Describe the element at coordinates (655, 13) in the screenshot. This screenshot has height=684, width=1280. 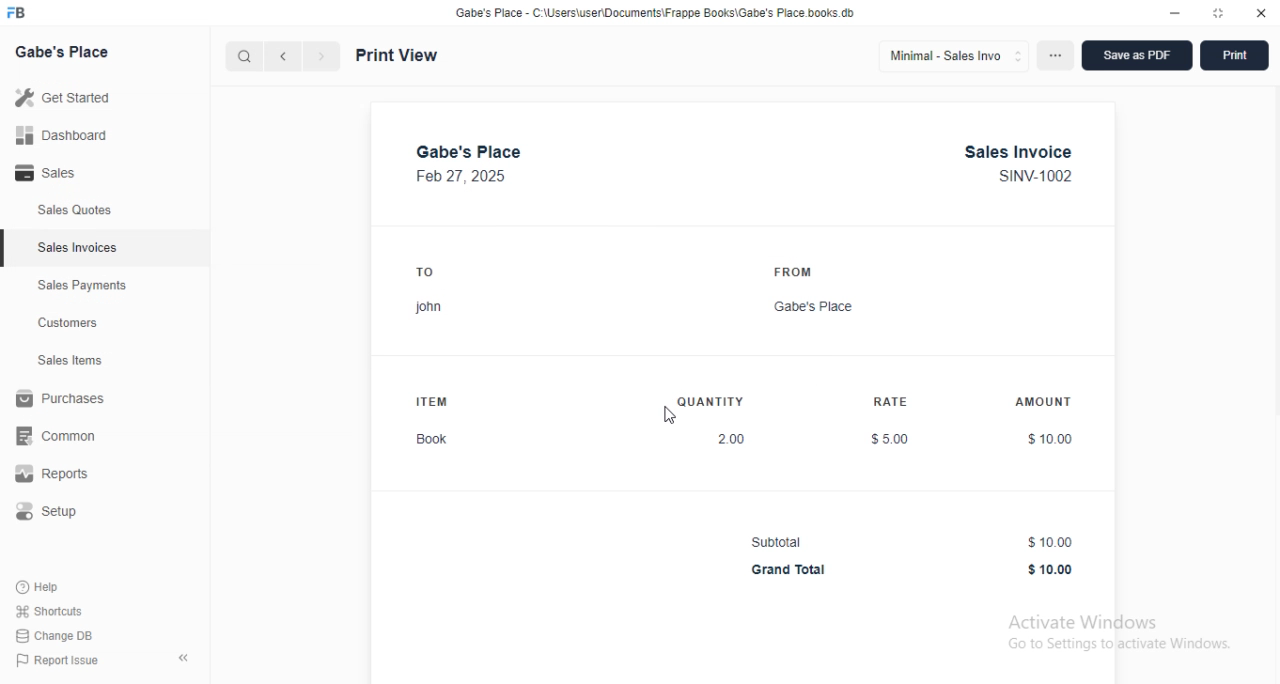
I see `Gabe's Place - C:\Users\user\Documents\Frappe Books\Gabe's Place.books db` at that location.